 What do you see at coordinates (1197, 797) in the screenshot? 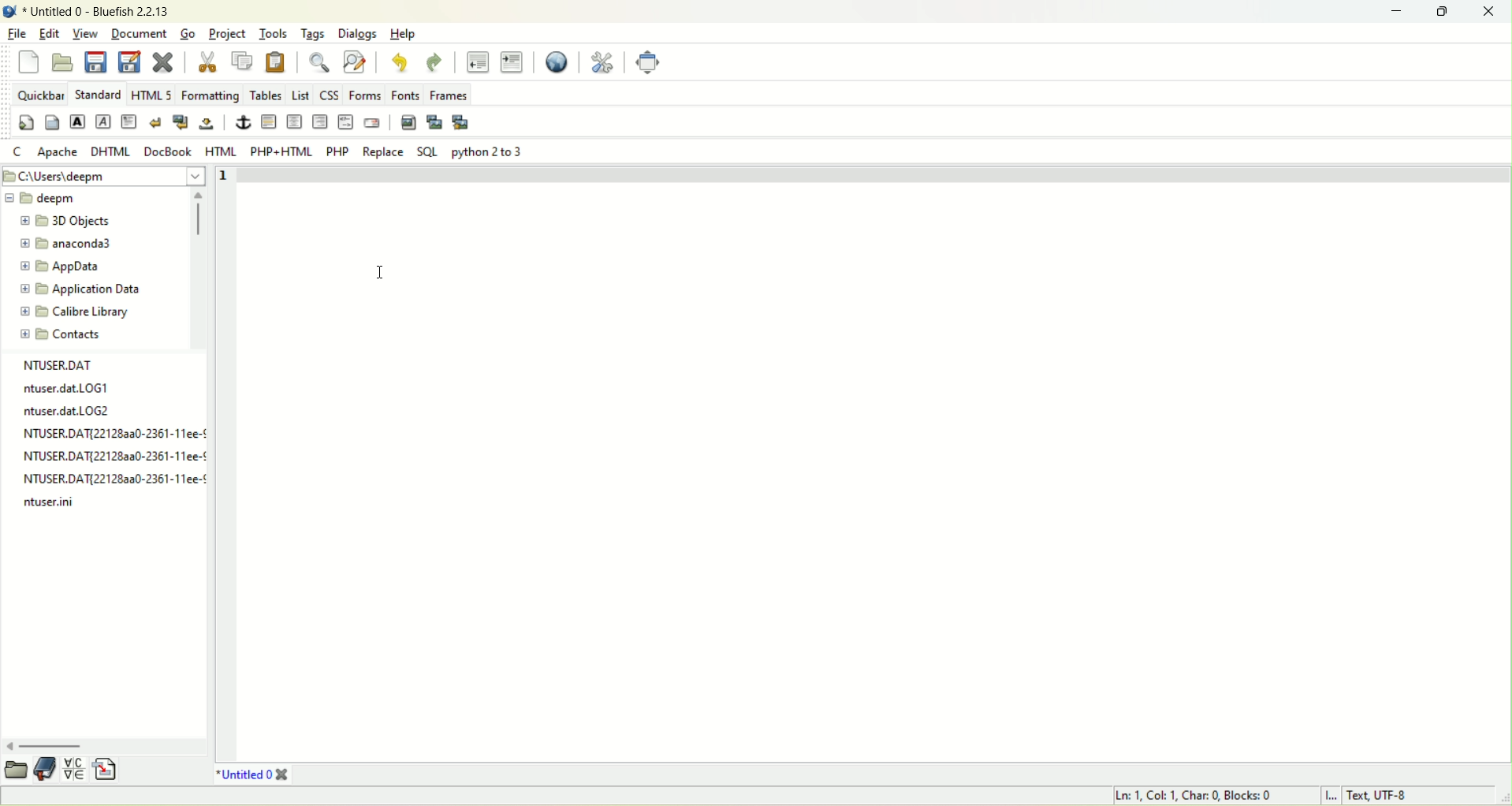
I see `cursor position` at bounding box center [1197, 797].